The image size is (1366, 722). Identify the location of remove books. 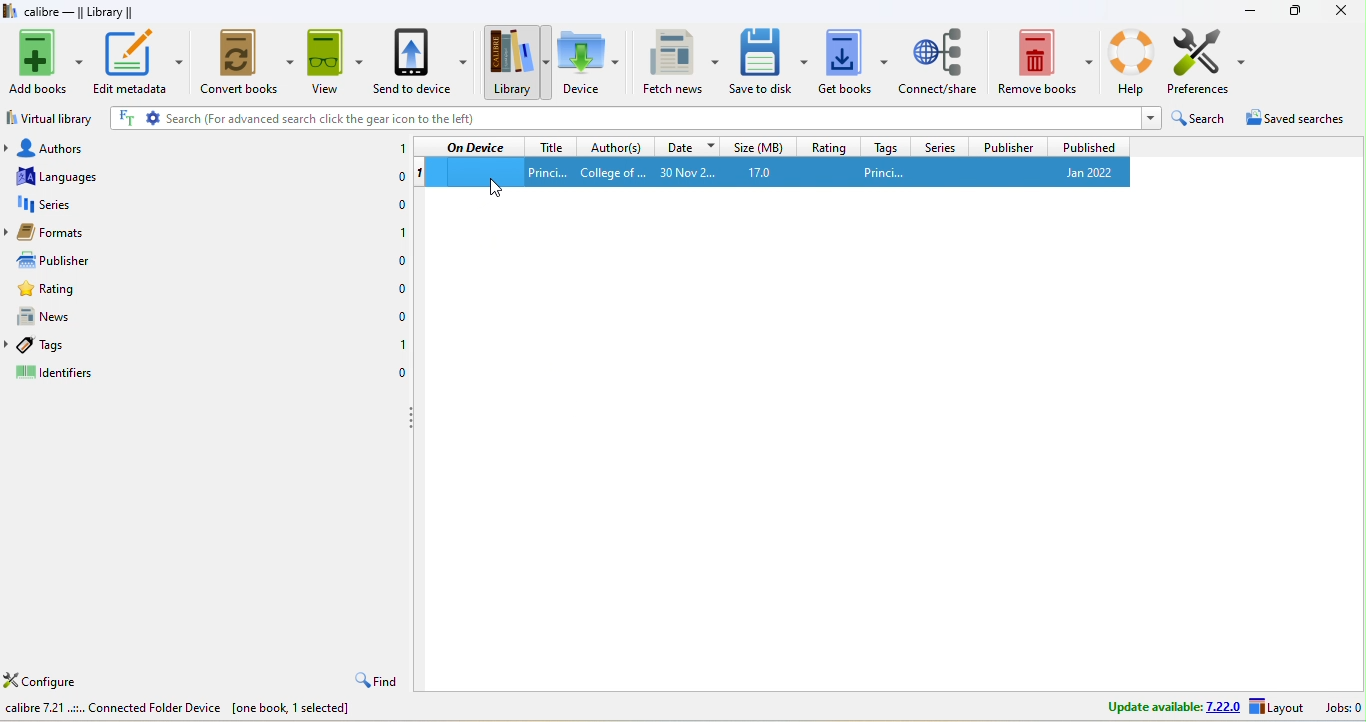
(1046, 59).